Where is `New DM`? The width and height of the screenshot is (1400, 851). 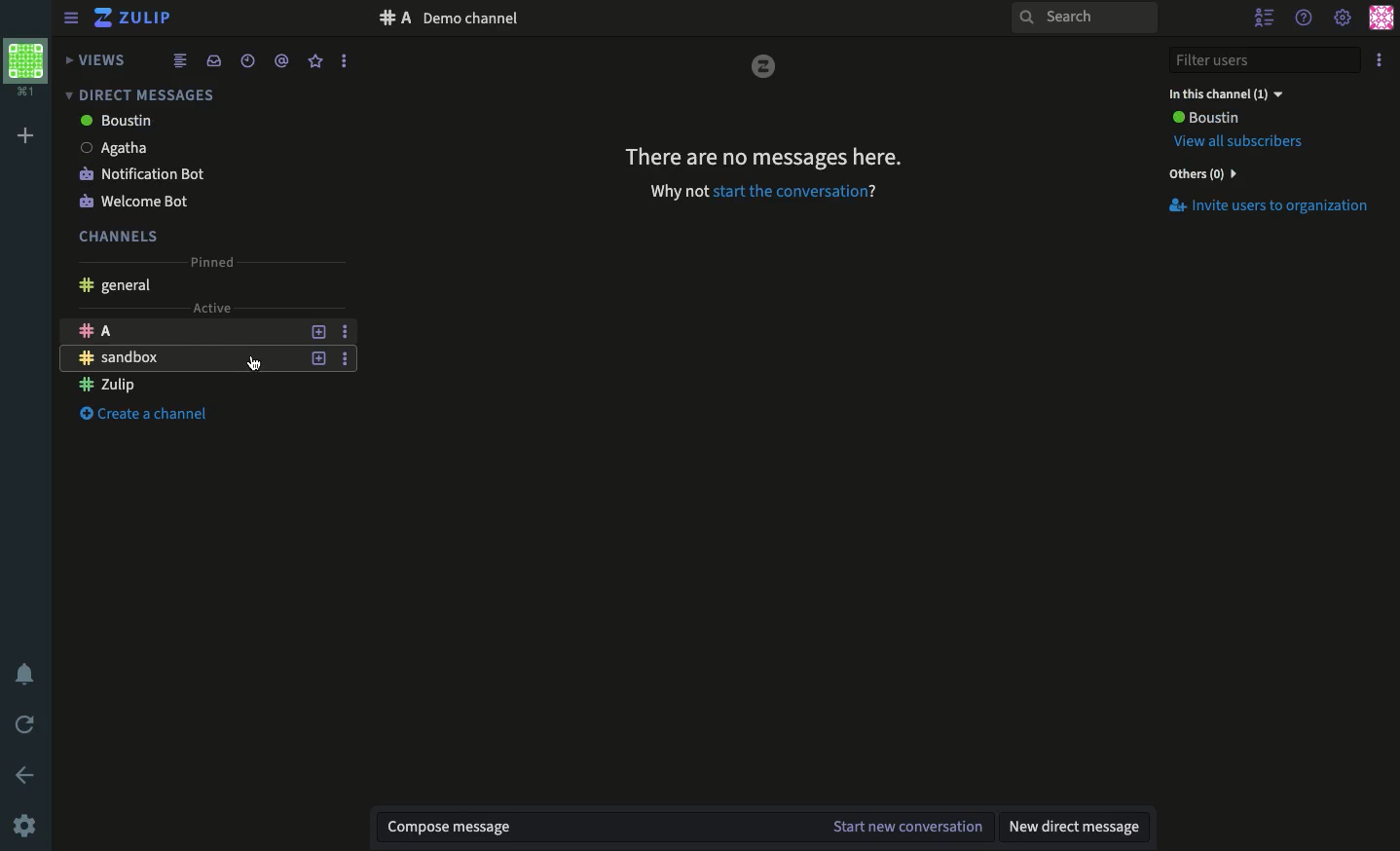 New DM is located at coordinates (1078, 826).